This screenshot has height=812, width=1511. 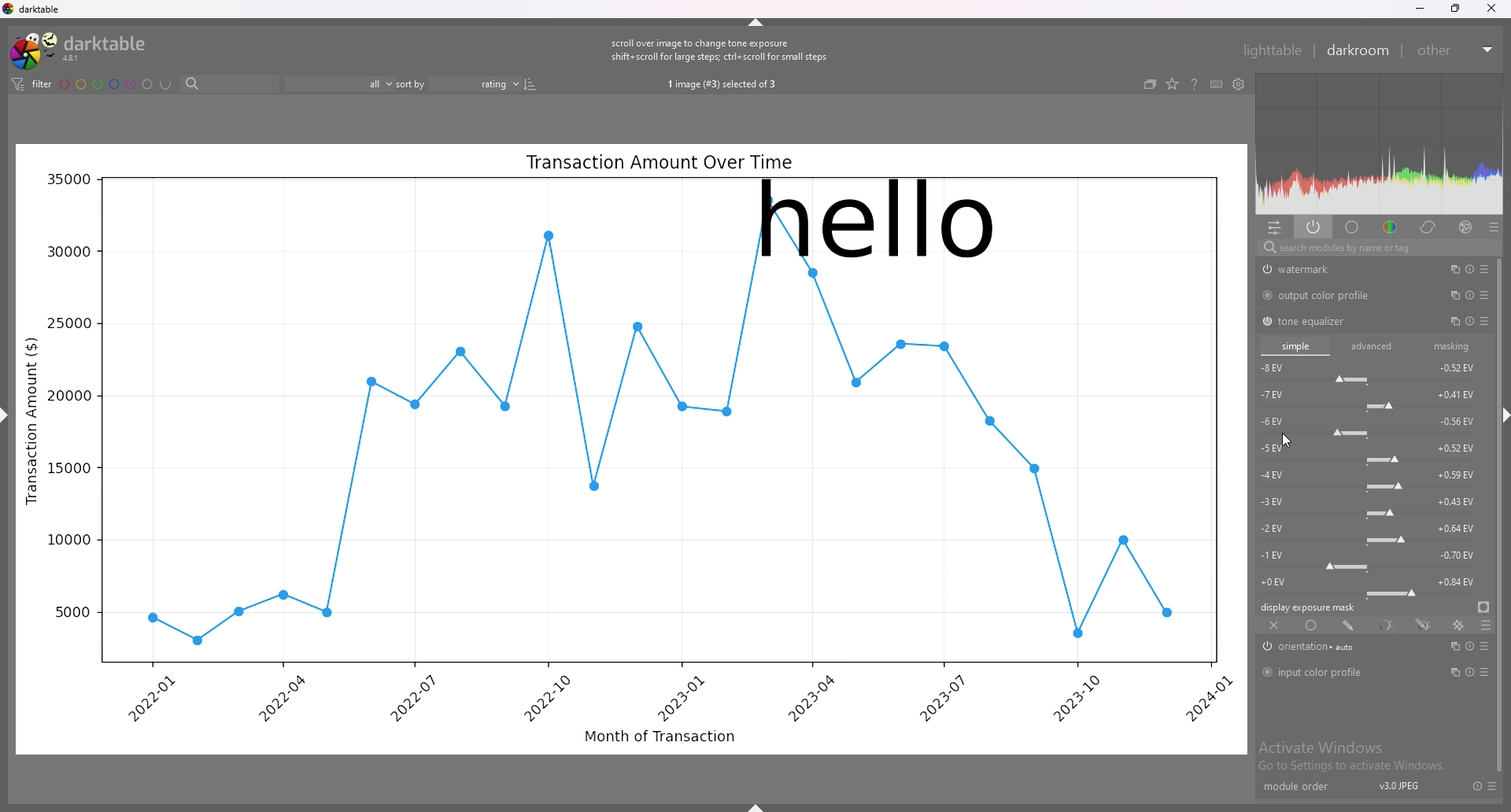 What do you see at coordinates (84, 50) in the screenshot?
I see `darktable logo` at bounding box center [84, 50].